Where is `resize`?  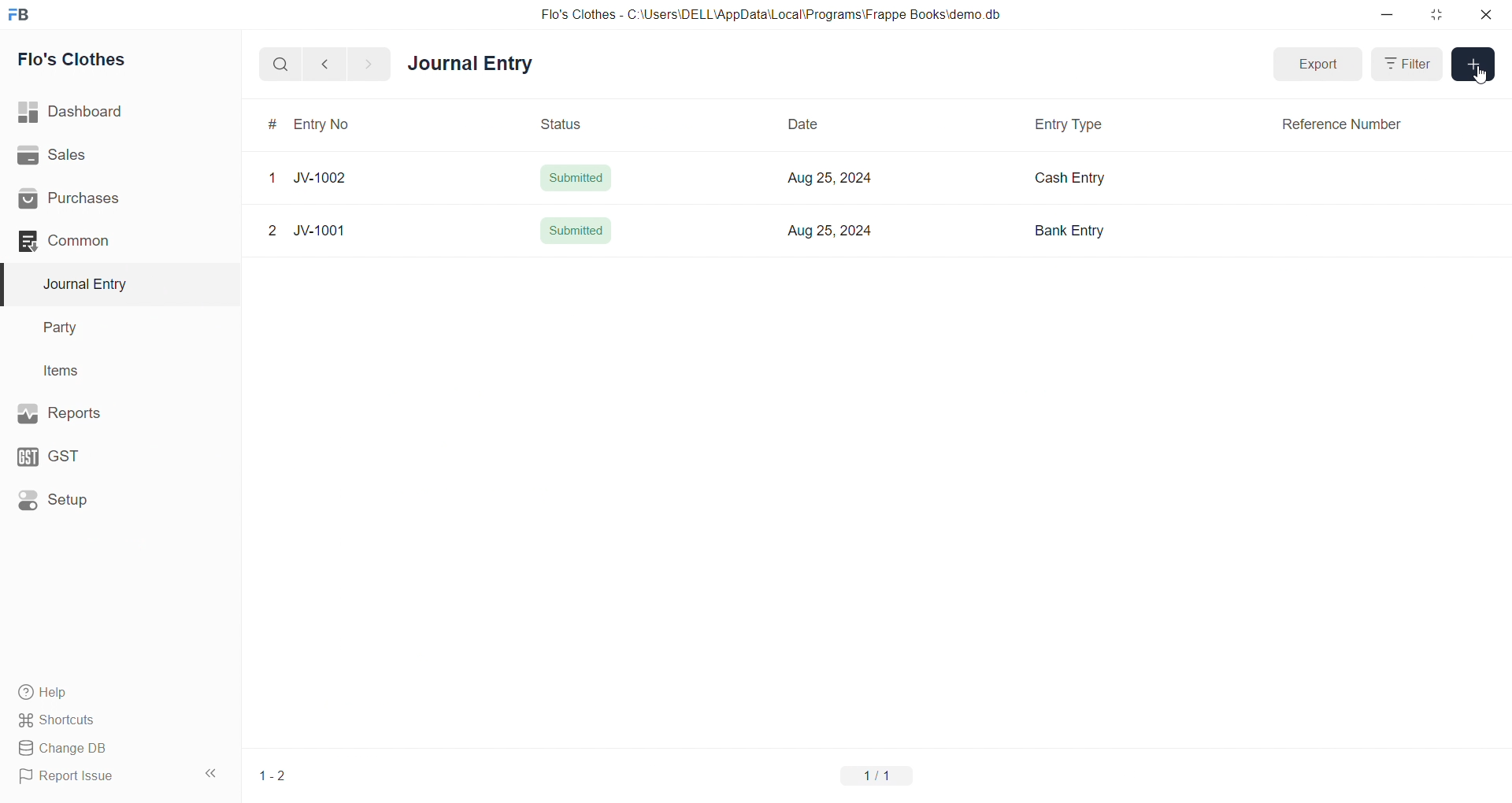
resize is located at coordinates (1436, 14).